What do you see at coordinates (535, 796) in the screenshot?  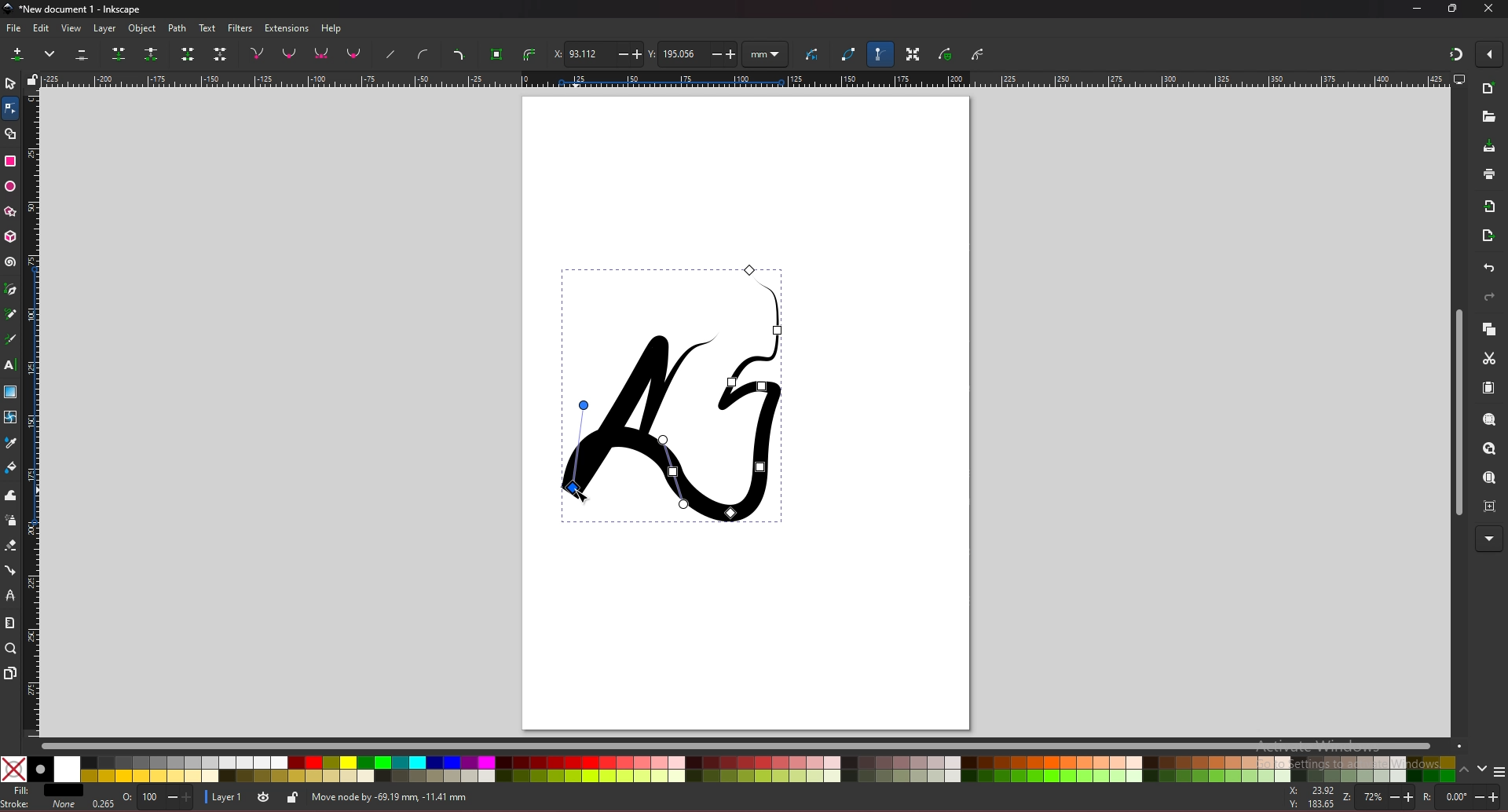 I see `info` at bounding box center [535, 796].